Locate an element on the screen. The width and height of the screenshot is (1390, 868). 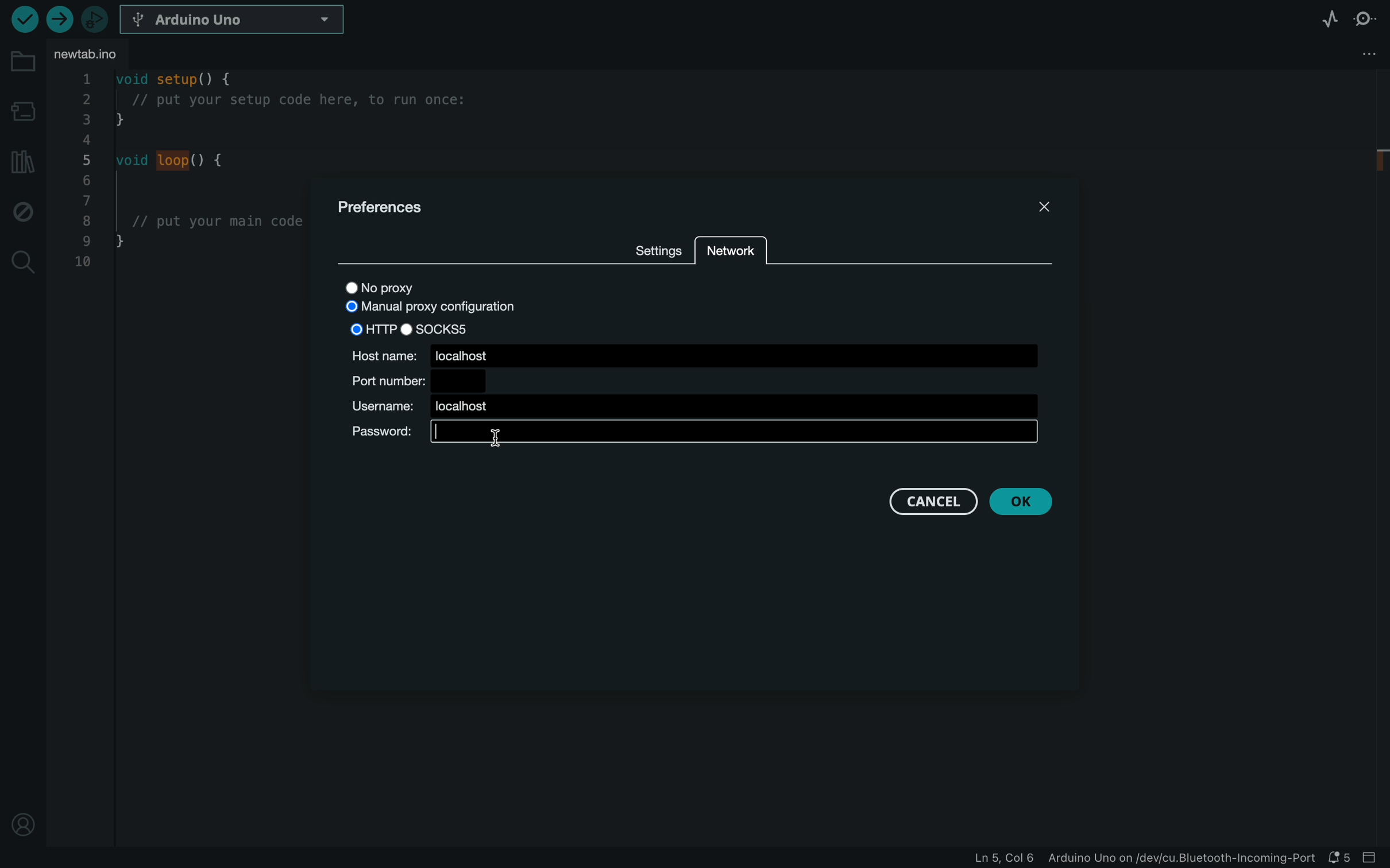
file information is located at coordinates (1145, 860).